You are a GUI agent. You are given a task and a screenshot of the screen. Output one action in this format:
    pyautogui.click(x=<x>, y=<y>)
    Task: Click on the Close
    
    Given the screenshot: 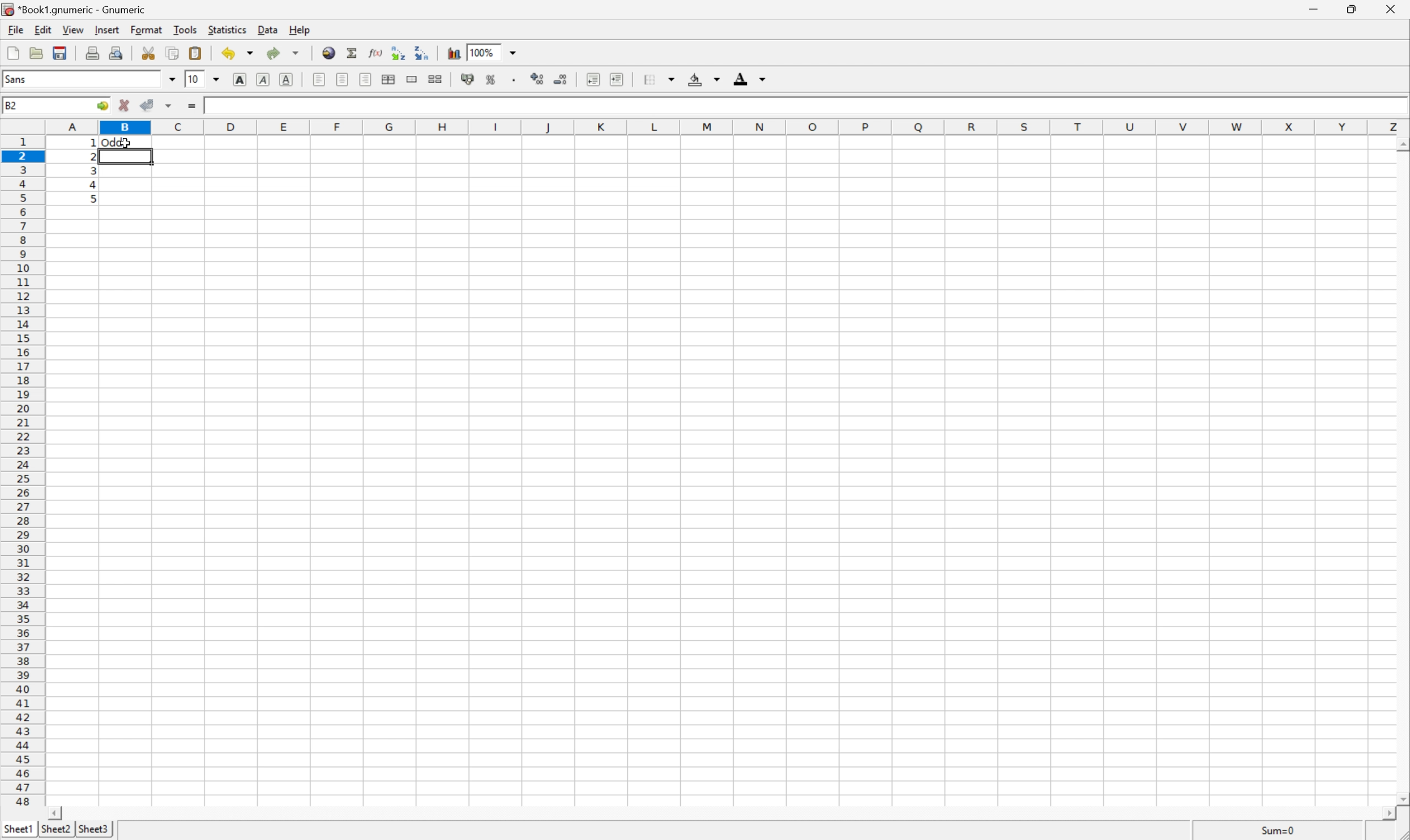 What is the action you would take?
    pyautogui.click(x=1391, y=8)
    